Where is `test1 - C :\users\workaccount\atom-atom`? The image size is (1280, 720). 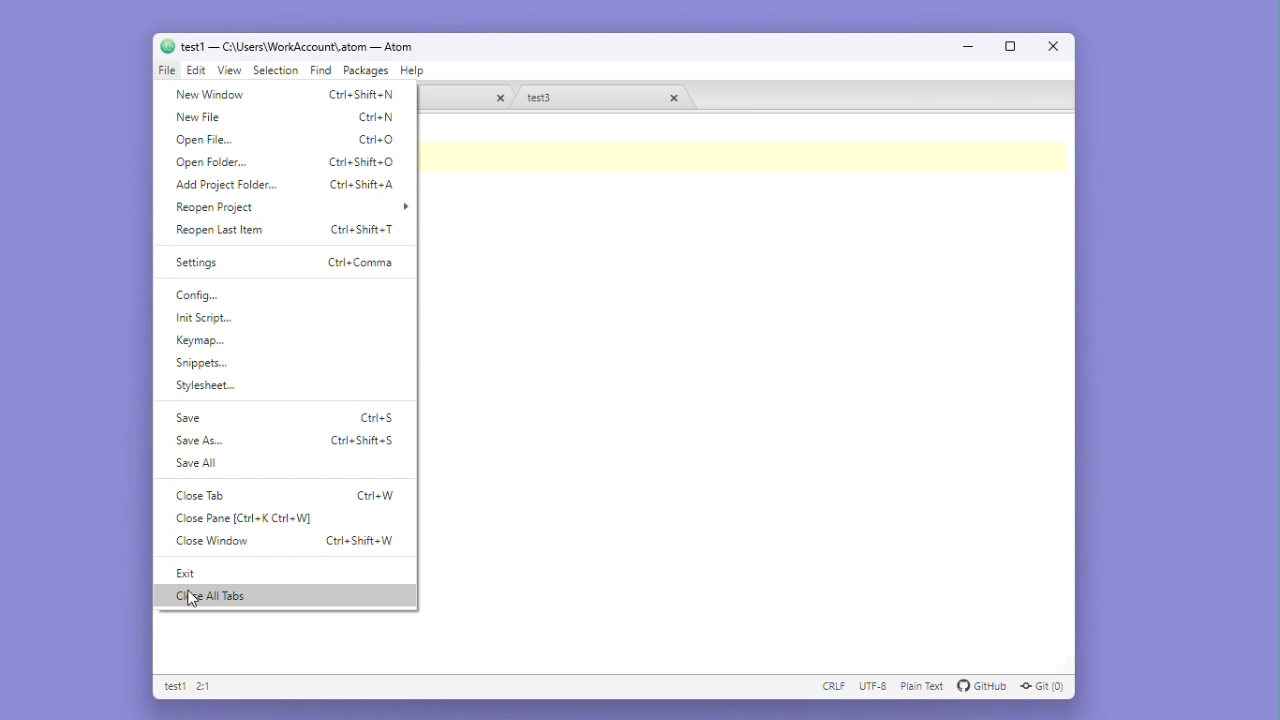
test1 - C :\users\workaccount\atom-atom is located at coordinates (318, 44).